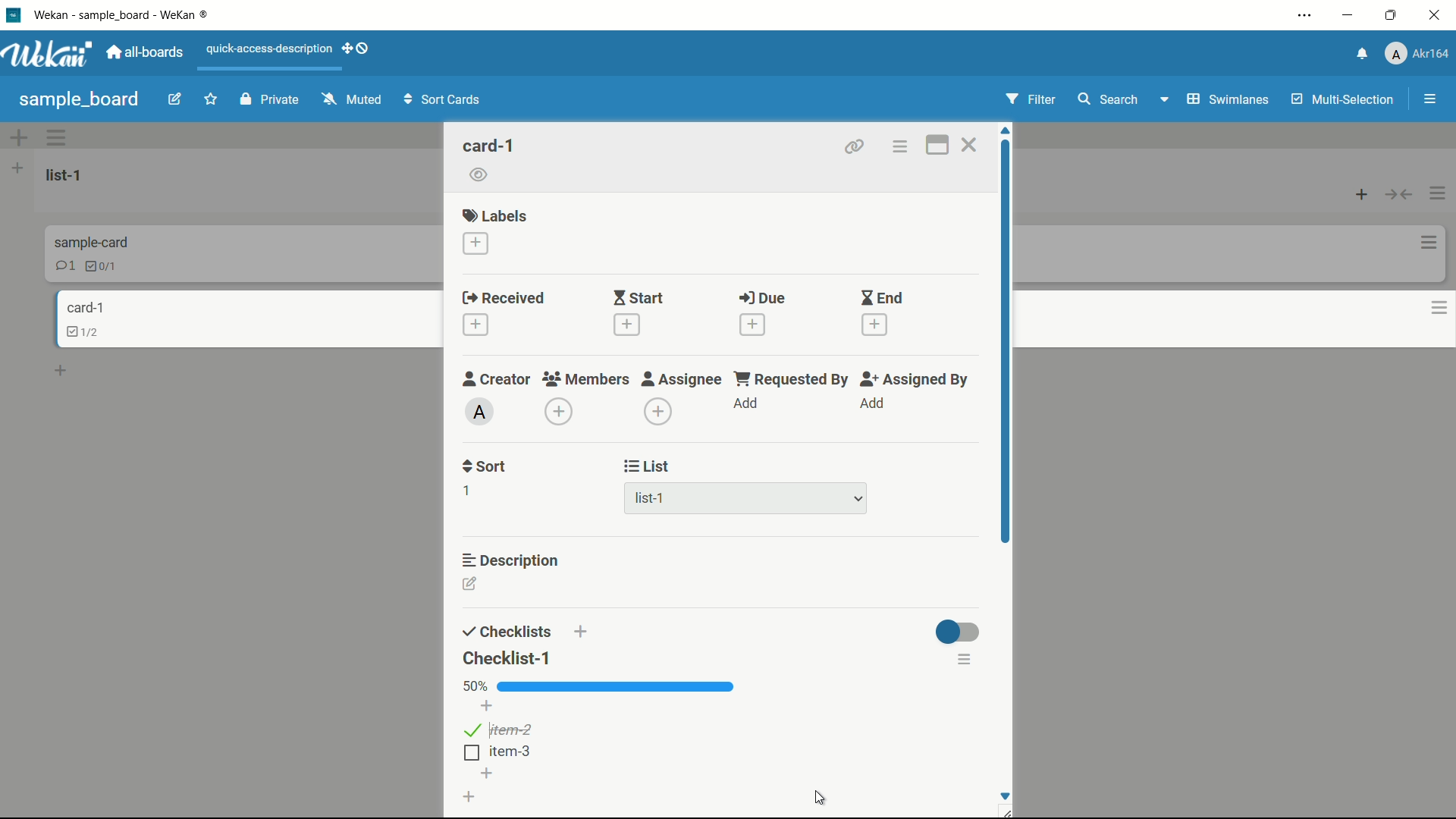 The image size is (1456, 819). I want to click on add date, so click(627, 327).